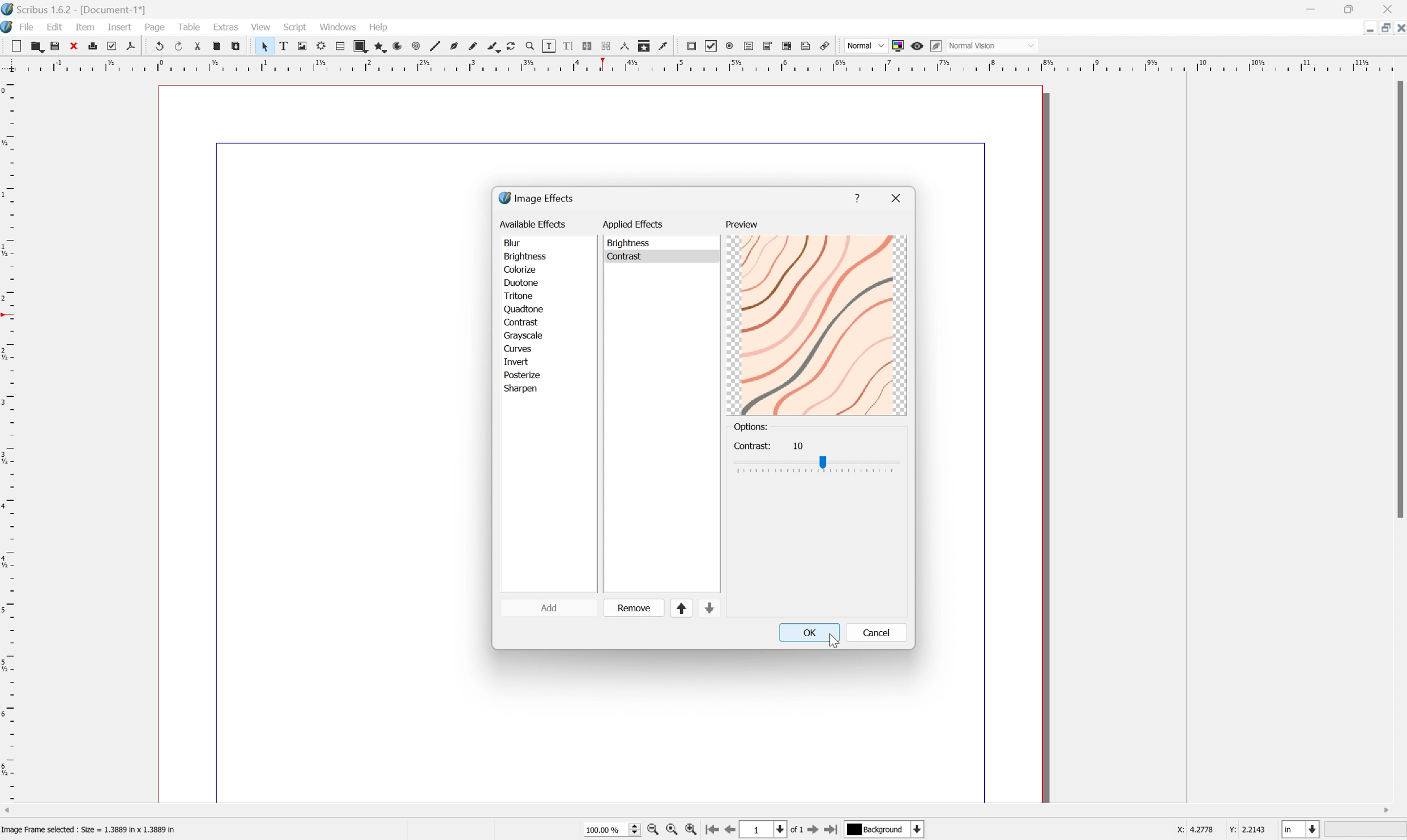 The image size is (1407, 840). I want to click on Zoom In, so click(693, 832).